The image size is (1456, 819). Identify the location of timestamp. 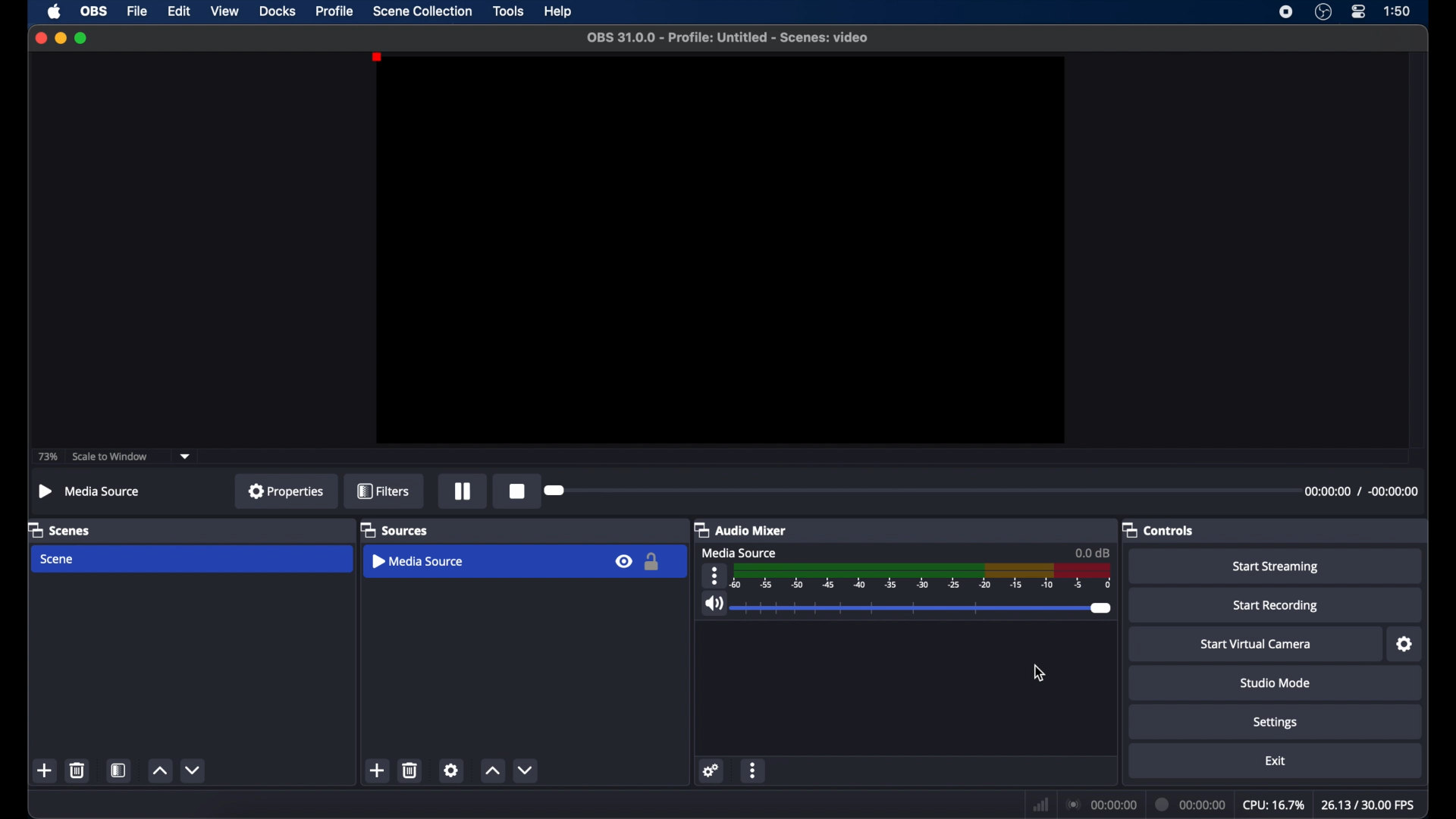
(1360, 494).